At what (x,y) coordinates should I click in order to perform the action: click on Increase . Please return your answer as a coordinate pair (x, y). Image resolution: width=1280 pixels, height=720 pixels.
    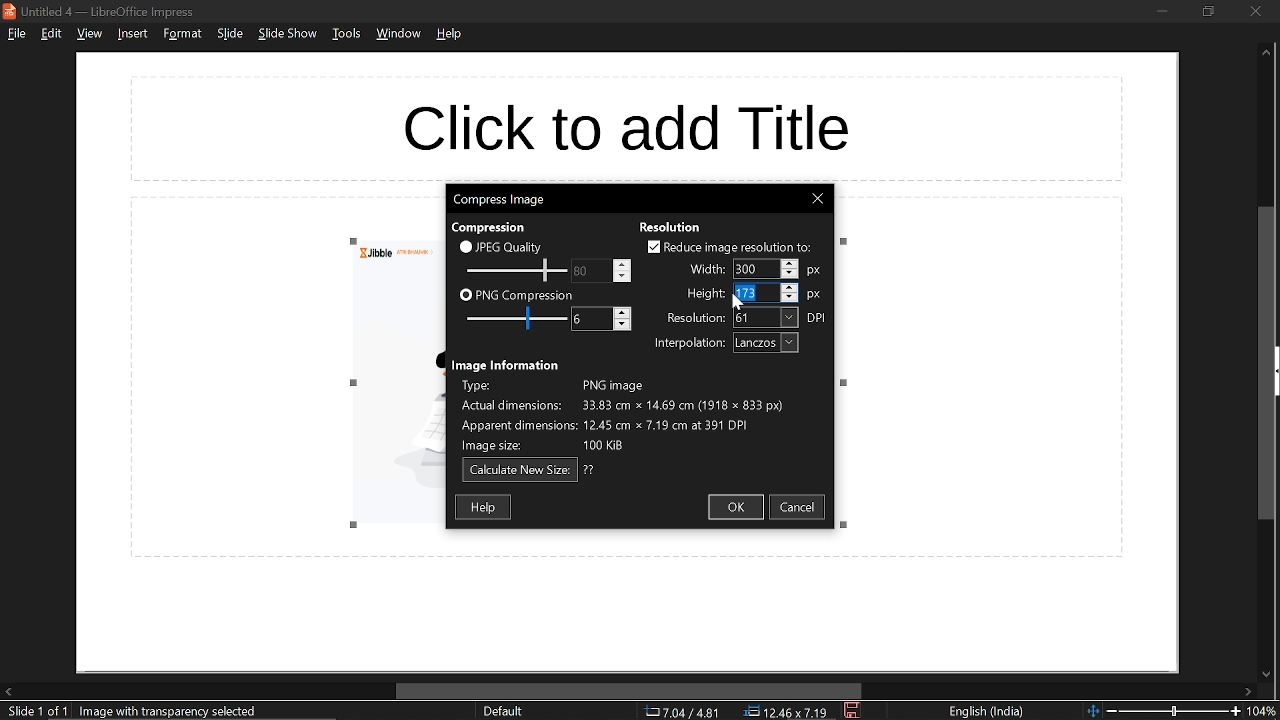
    Looking at the image, I should click on (623, 262).